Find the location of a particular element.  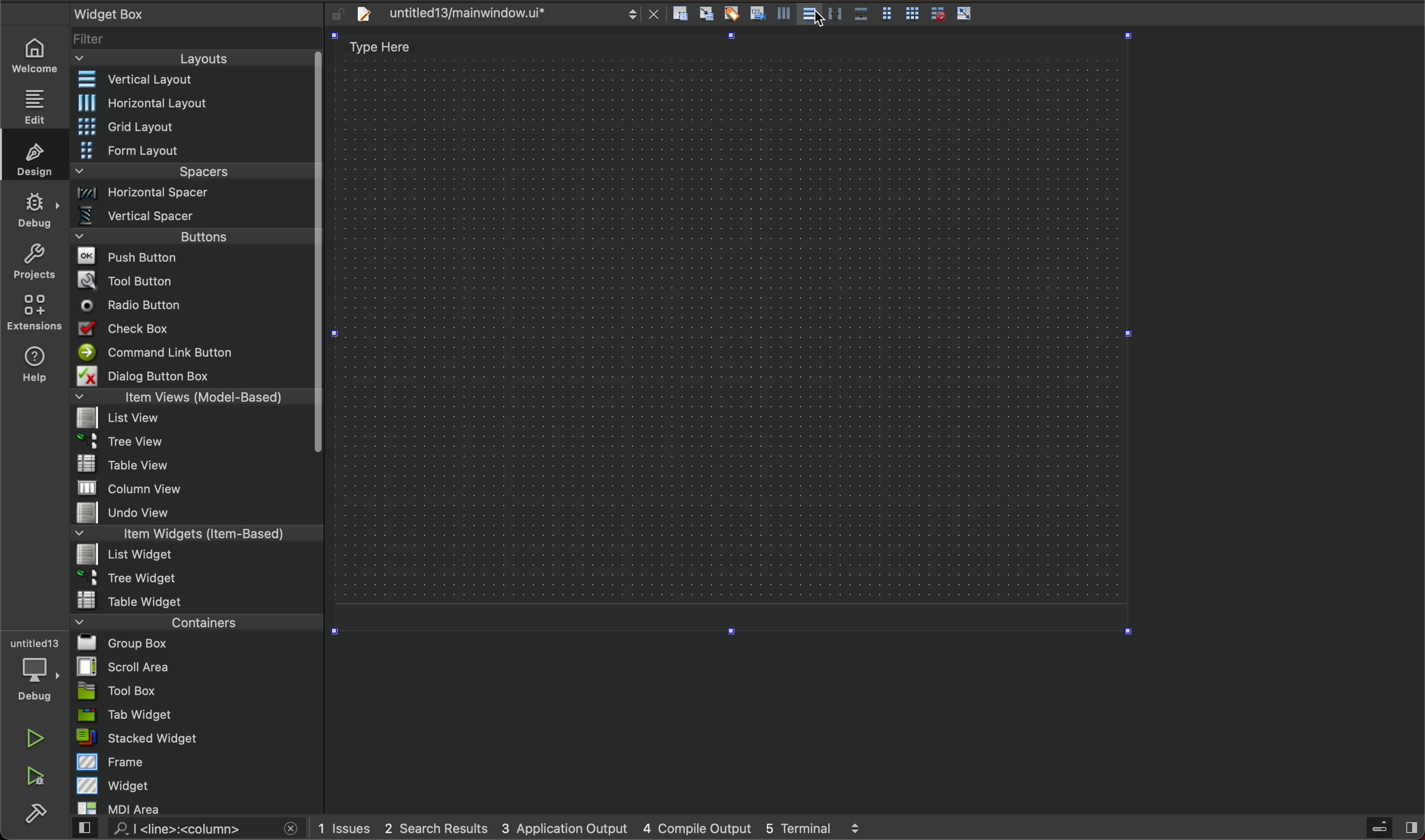

MDI Area is located at coordinates (190, 808).